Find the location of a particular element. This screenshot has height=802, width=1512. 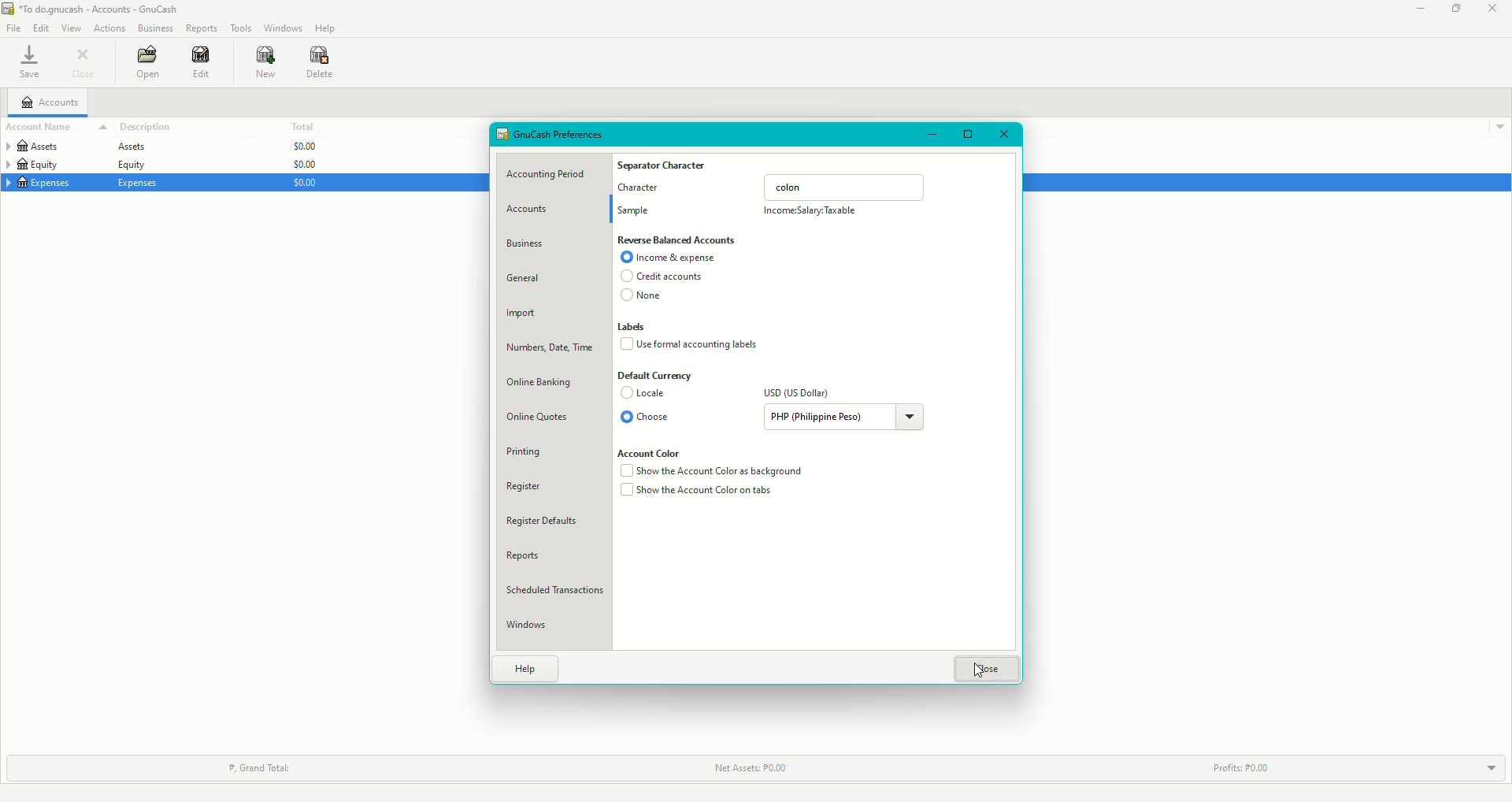

Net Assets is located at coordinates (745, 768).